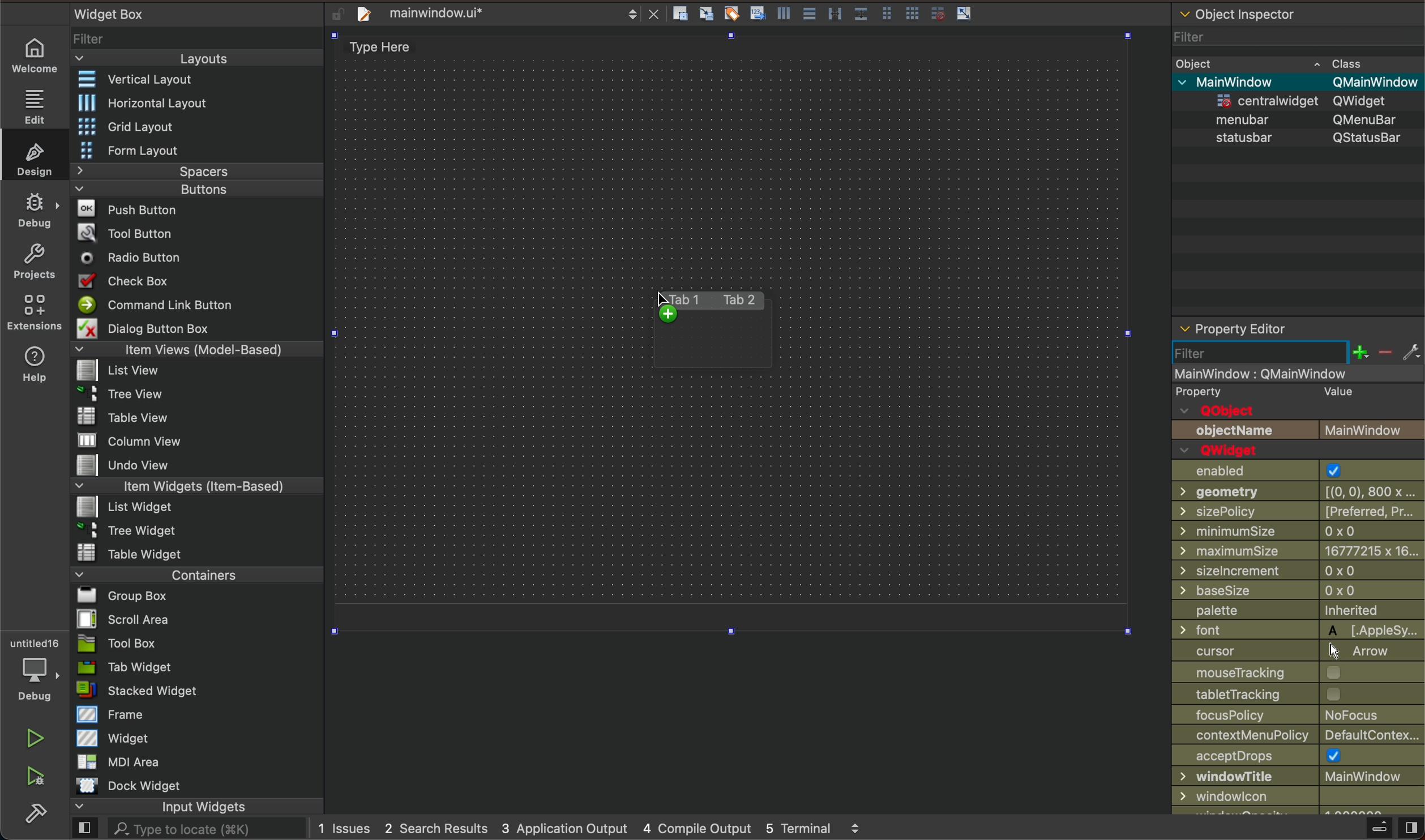  Describe the element at coordinates (114, 738) in the screenshot. I see `Widget` at that location.